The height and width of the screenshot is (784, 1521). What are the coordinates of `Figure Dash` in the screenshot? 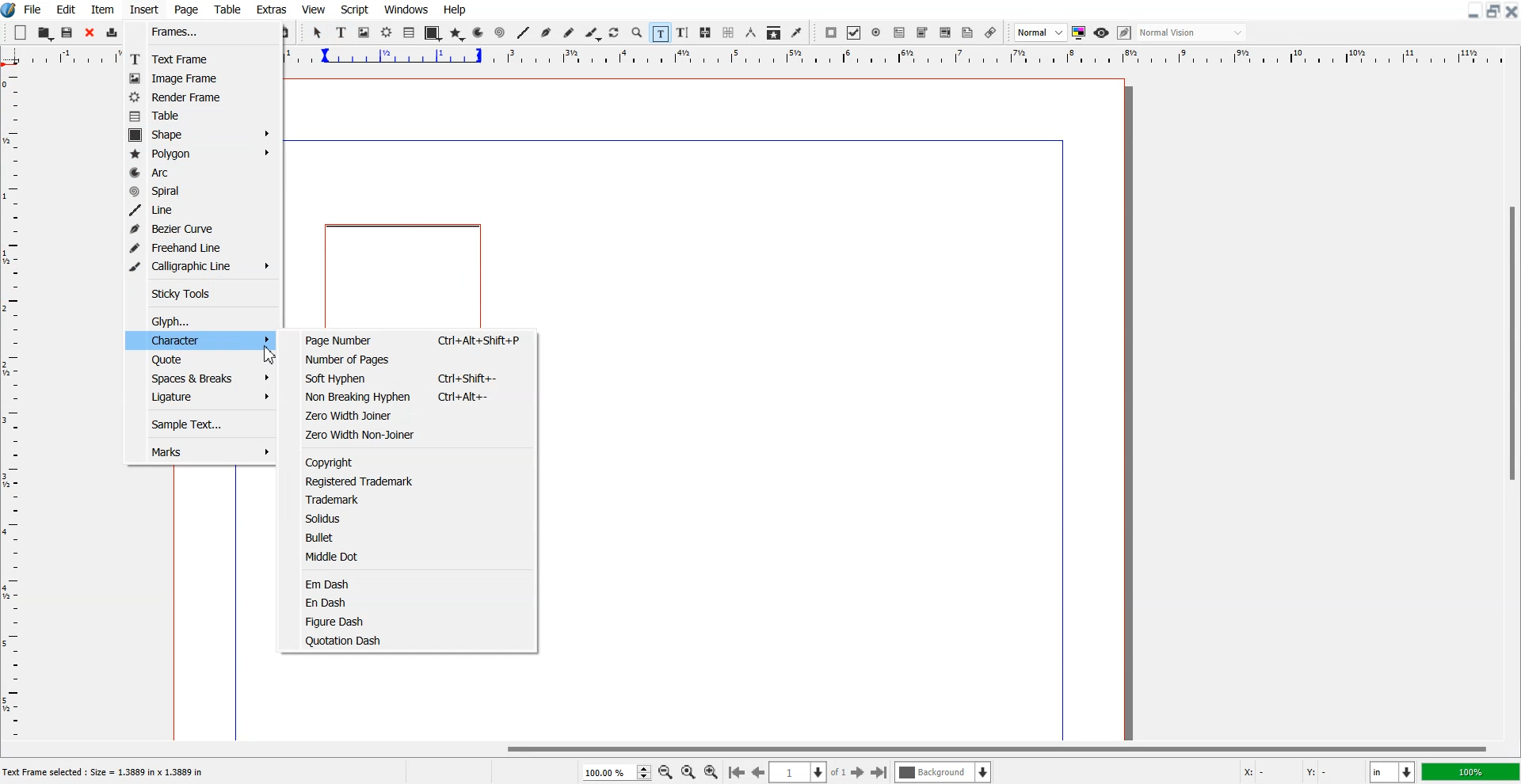 It's located at (413, 621).